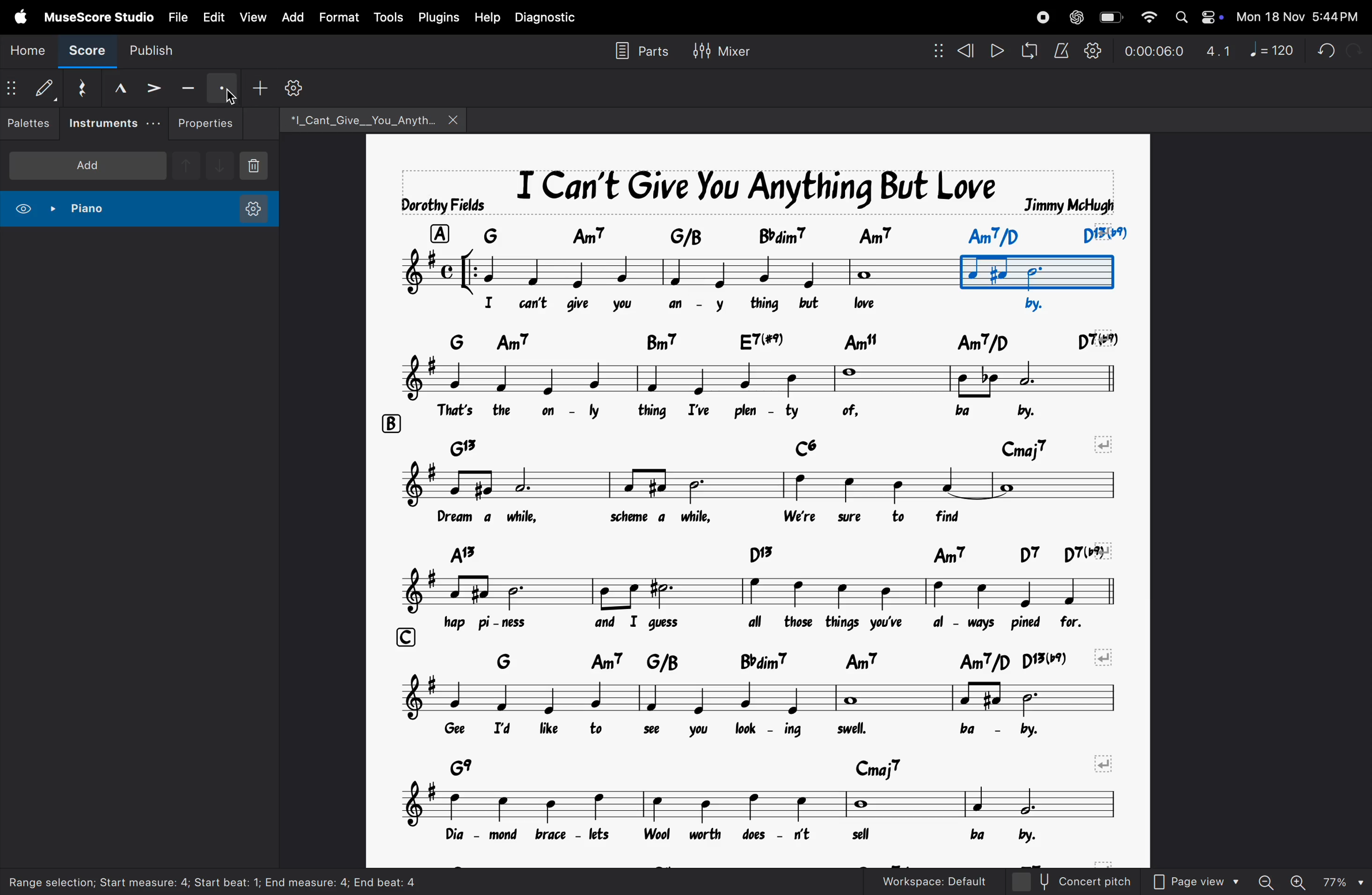 The height and width of the screenshot is (895, 1372). I want to click on diagnostic, so click(550, 20).